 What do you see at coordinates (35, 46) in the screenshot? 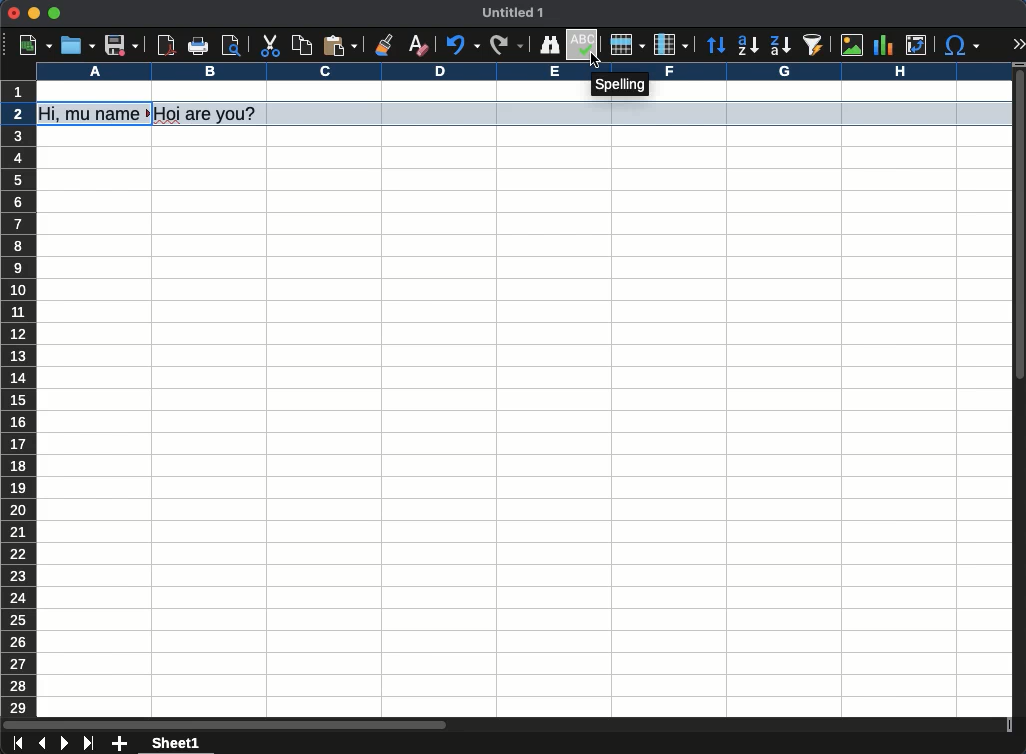
I see `new` at bounding box center [35, 46].